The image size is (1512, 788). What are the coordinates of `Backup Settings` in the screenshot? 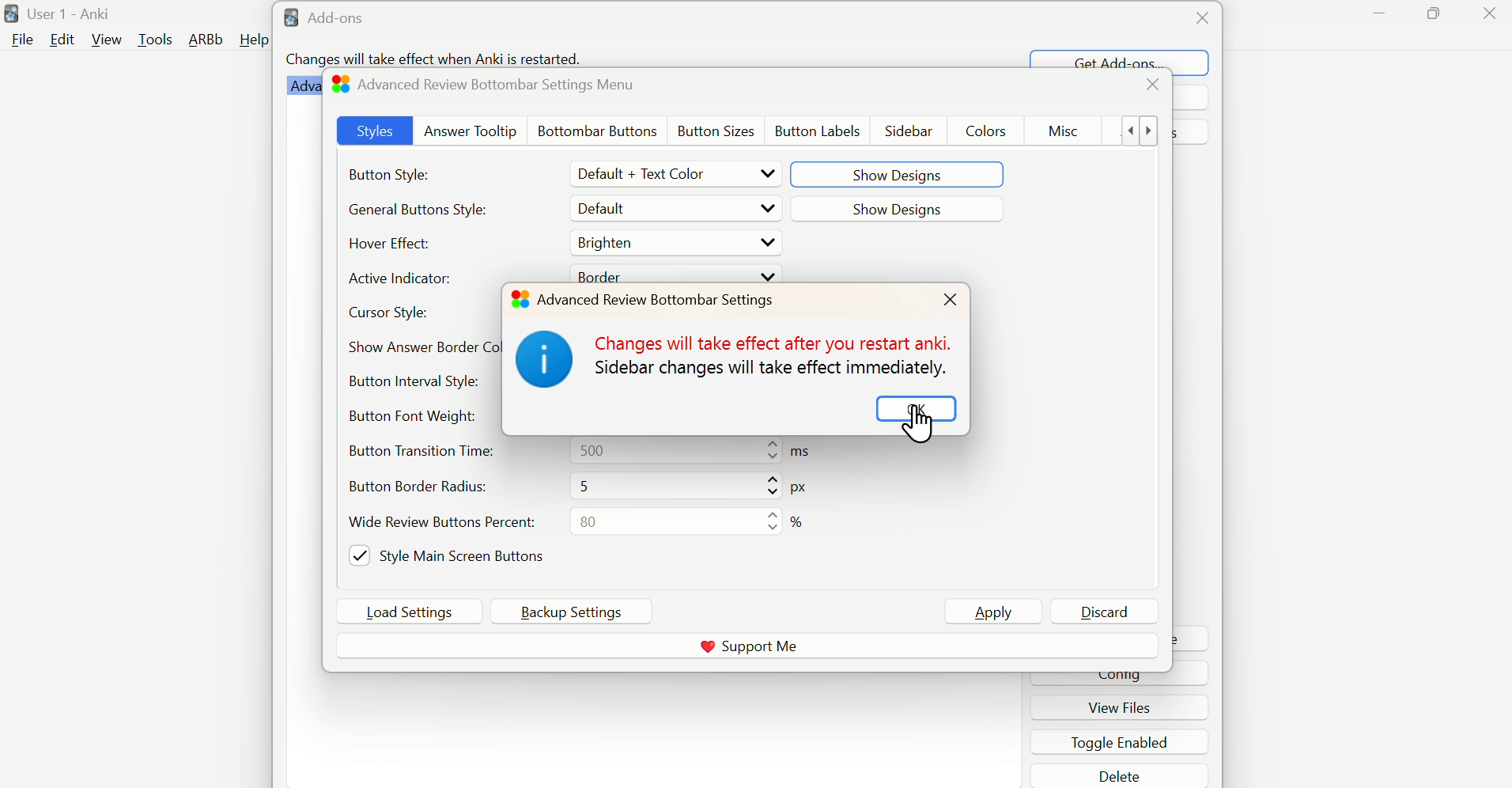 It's located at (572, 612).